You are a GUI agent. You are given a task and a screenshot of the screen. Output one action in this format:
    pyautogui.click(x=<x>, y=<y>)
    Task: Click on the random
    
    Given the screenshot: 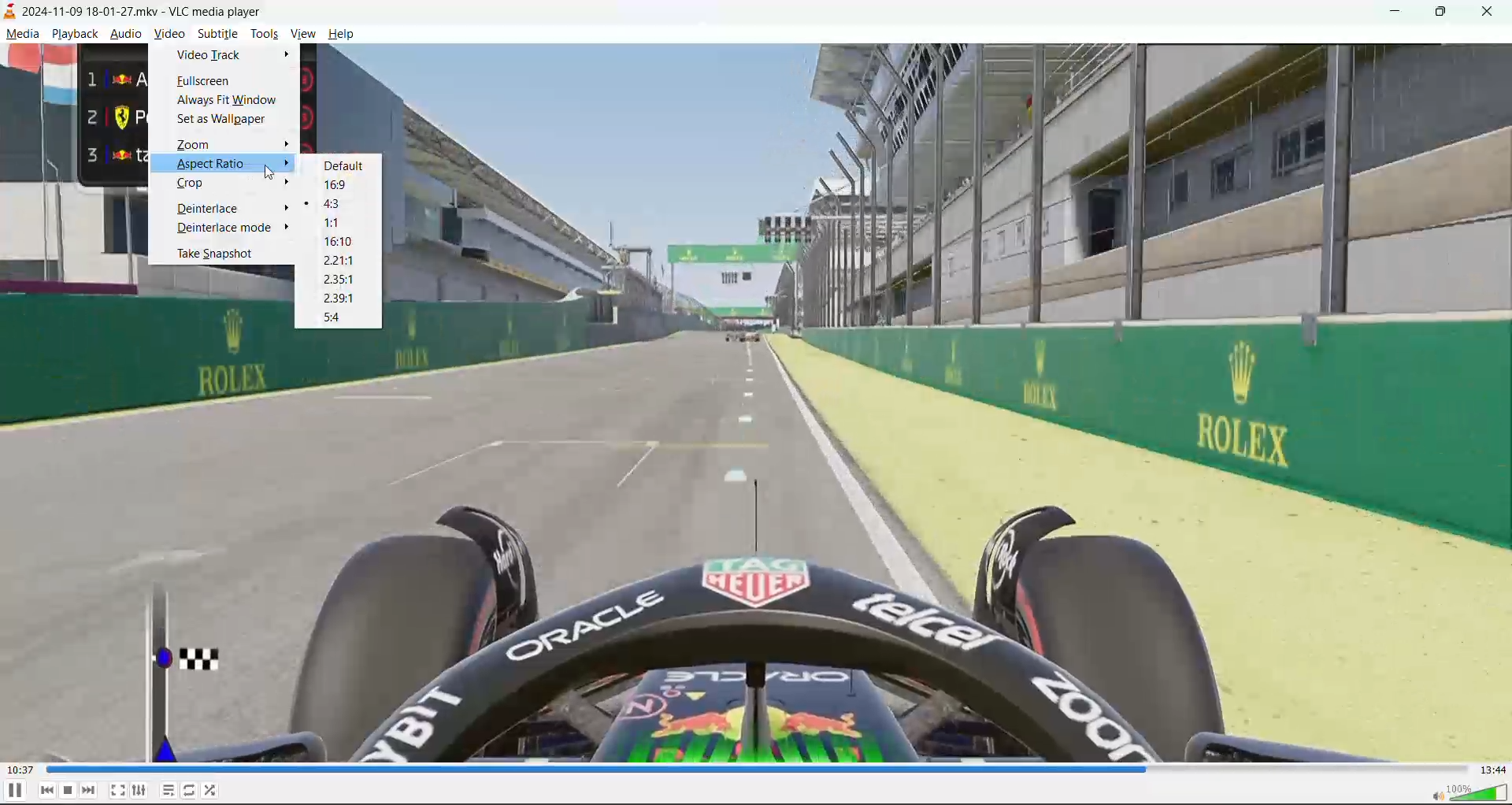 What is the action you would take?
    pyautogui.click(x=216, y=792)
    